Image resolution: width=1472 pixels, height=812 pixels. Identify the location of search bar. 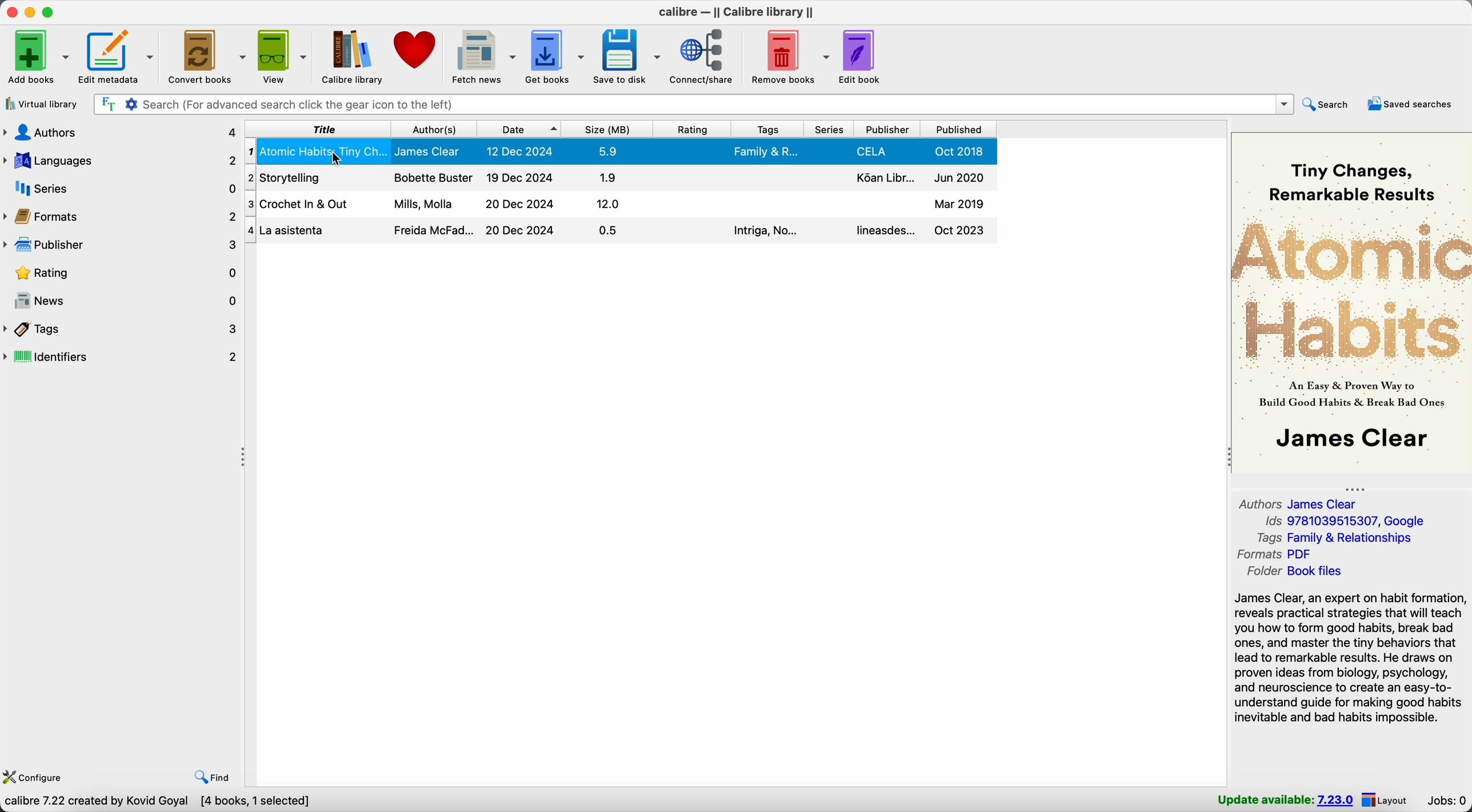
(691, 103).